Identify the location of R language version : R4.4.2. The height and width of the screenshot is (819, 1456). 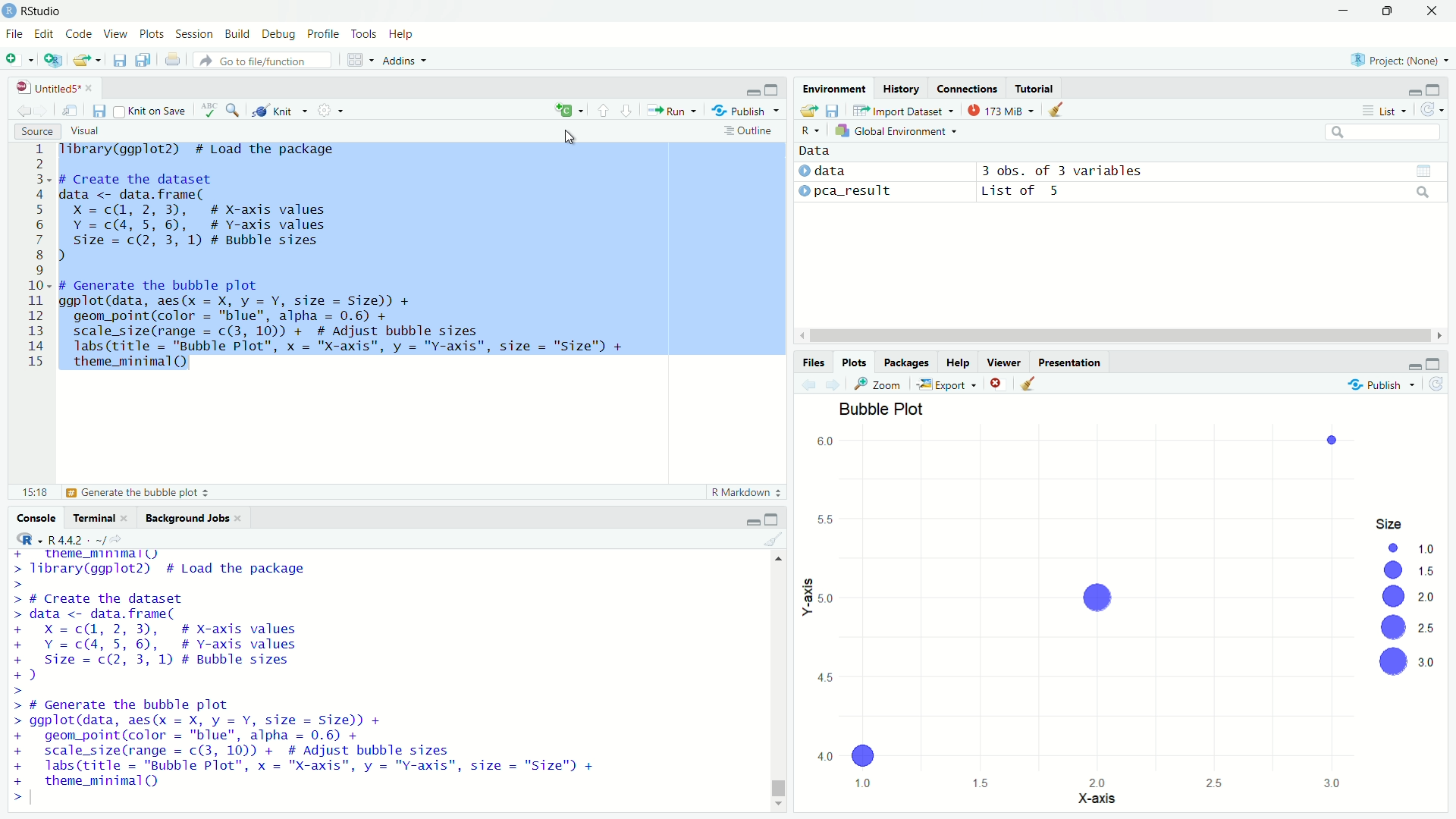
(85, 539).